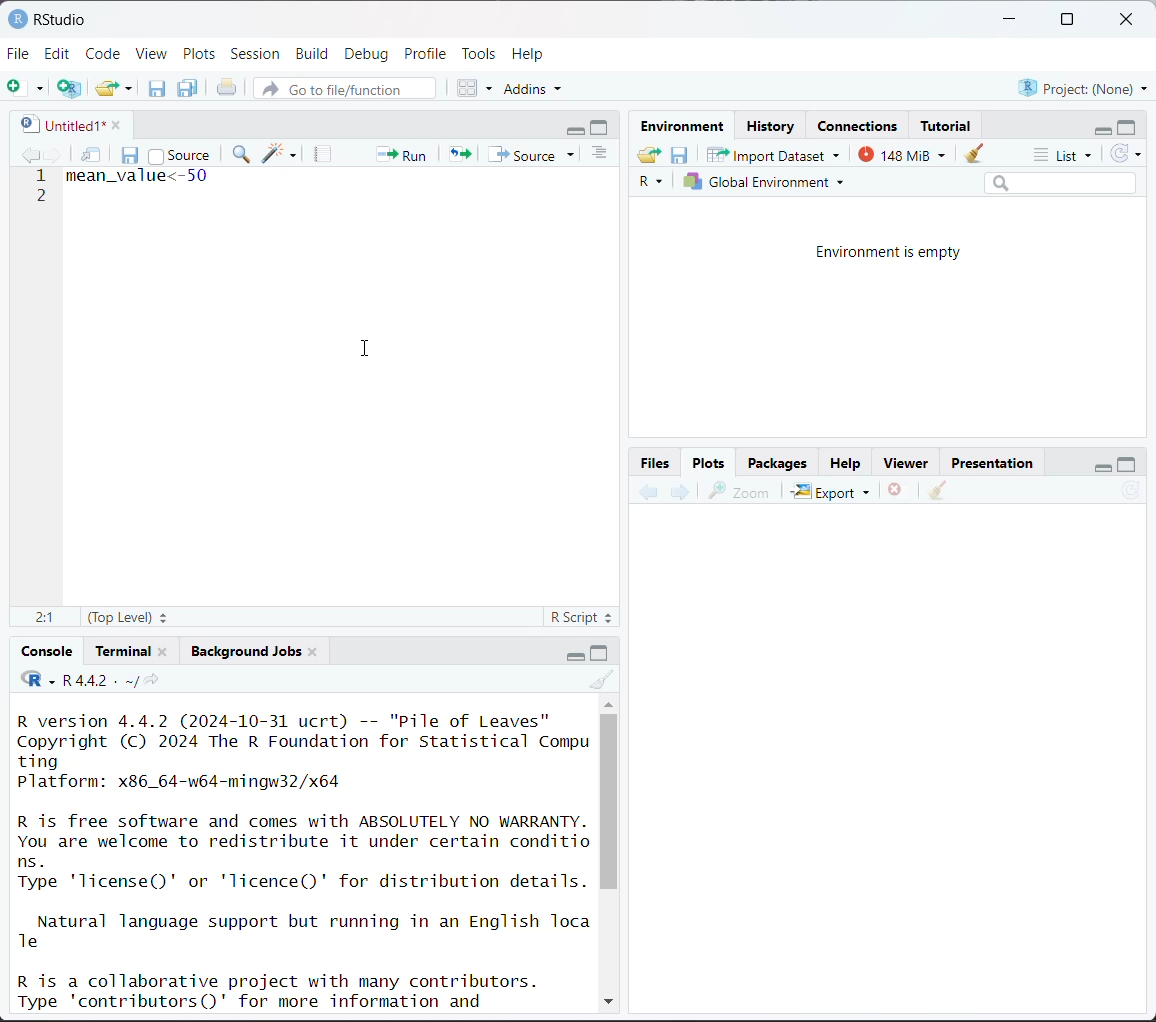 The image size is (1156, 1022). What do you see at coordinates (131, 88) in the screenshot?
I see `clear list` at bounding box center [131, 88].